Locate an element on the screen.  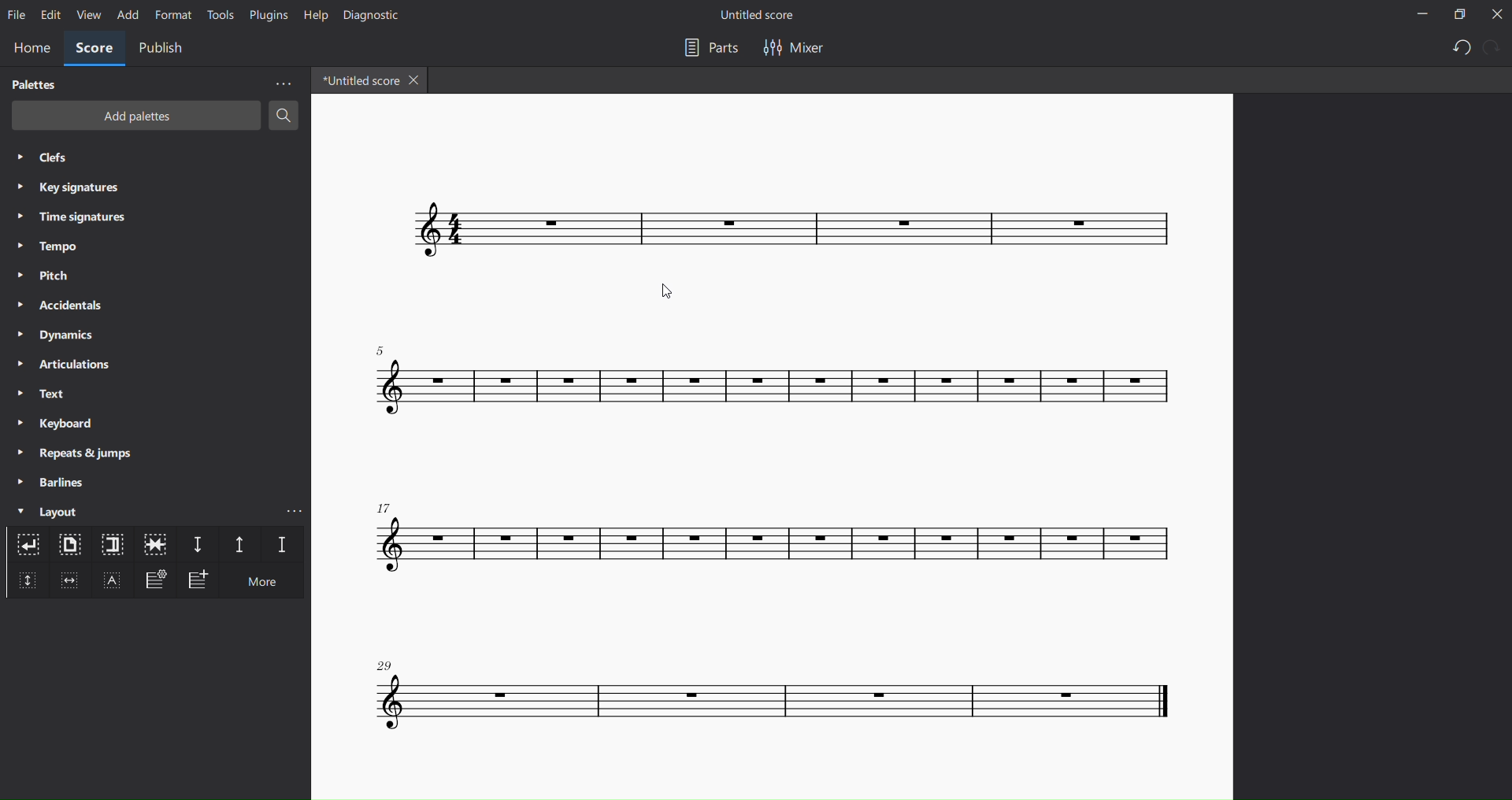
key signatures is located at coordinates (72, 190).